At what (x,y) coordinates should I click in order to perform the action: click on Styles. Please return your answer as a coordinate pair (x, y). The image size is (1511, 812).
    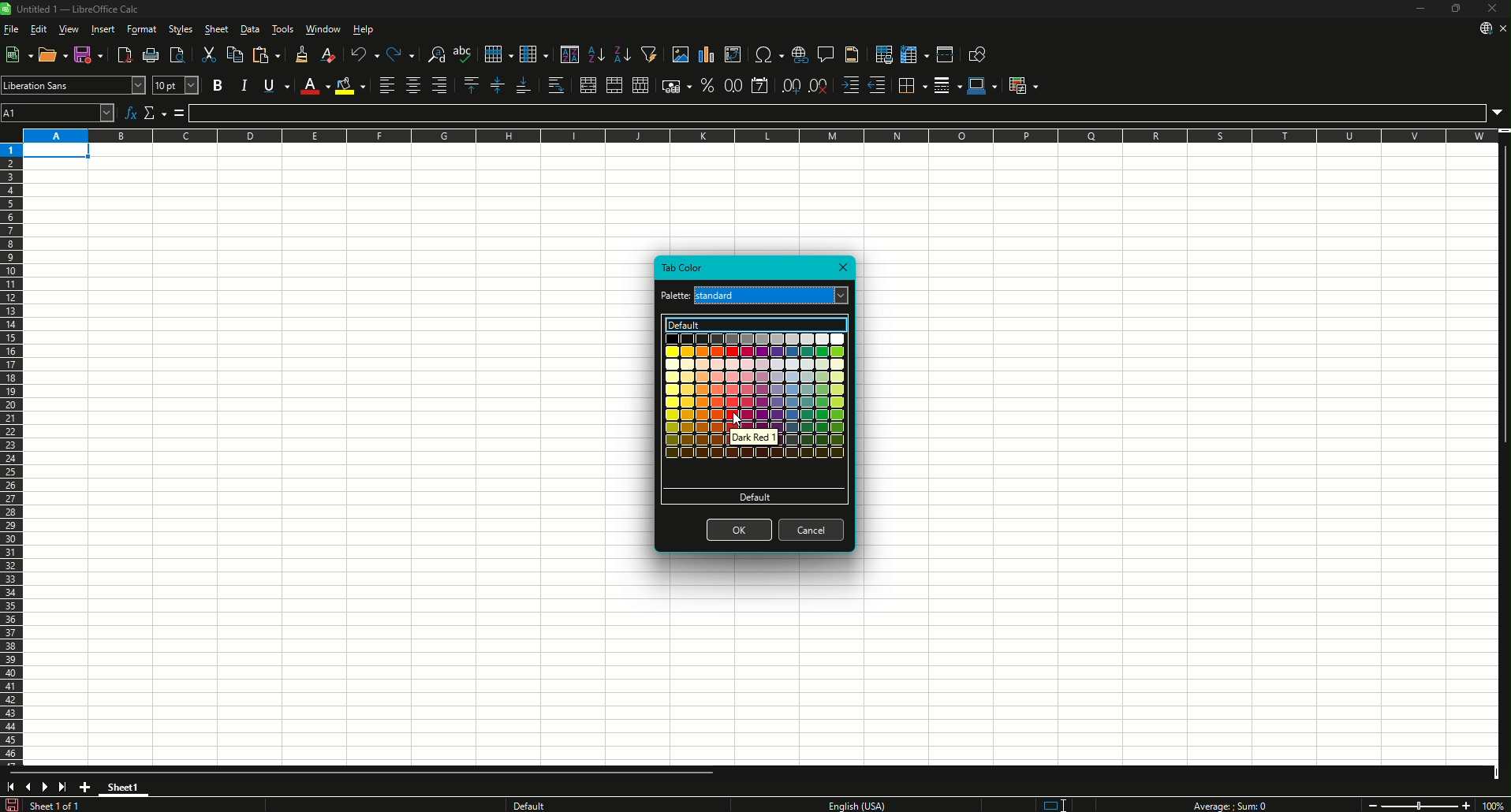
    Looking at the image, I should click on (181, 28).